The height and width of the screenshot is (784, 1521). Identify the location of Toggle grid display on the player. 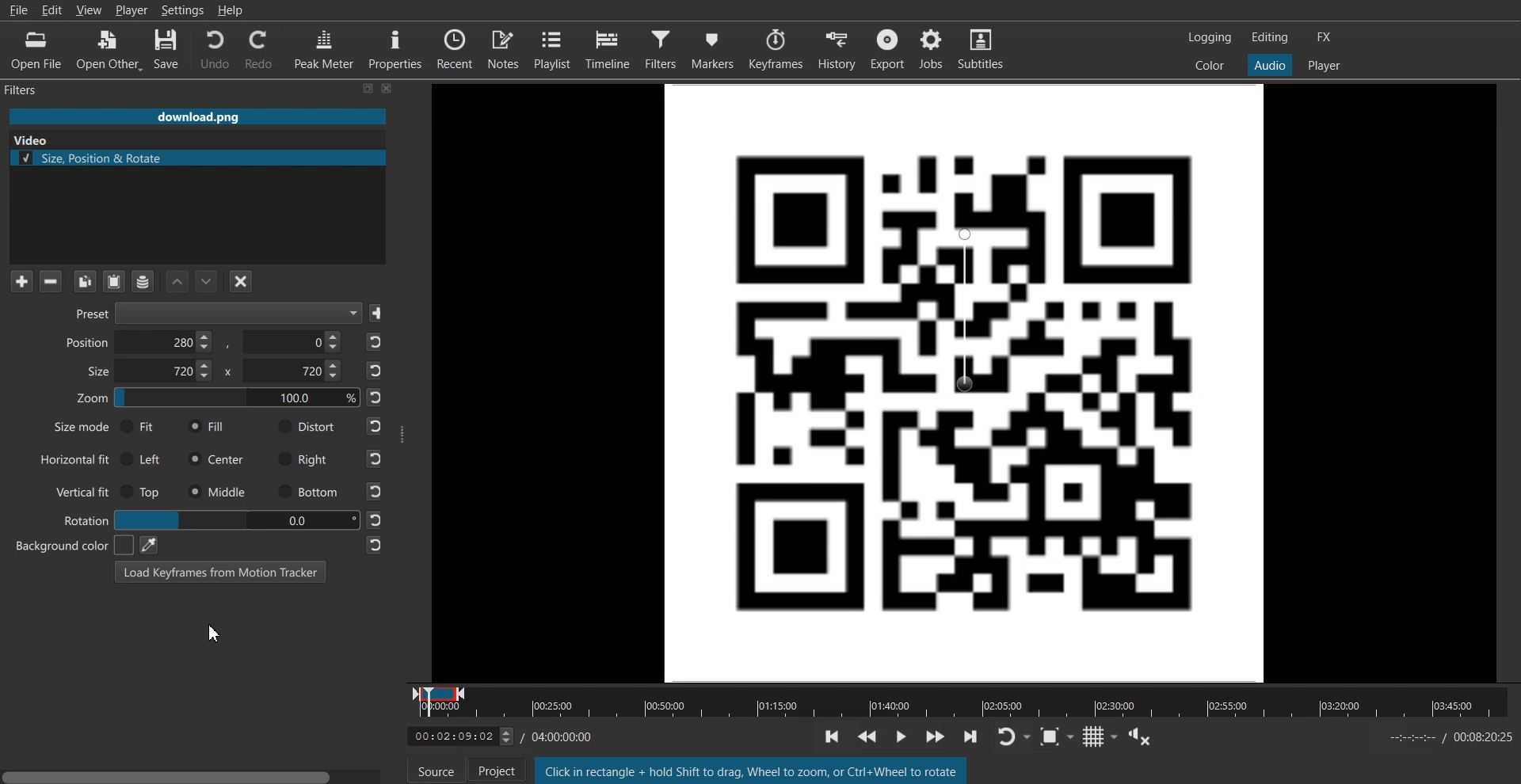
(1104, 739).